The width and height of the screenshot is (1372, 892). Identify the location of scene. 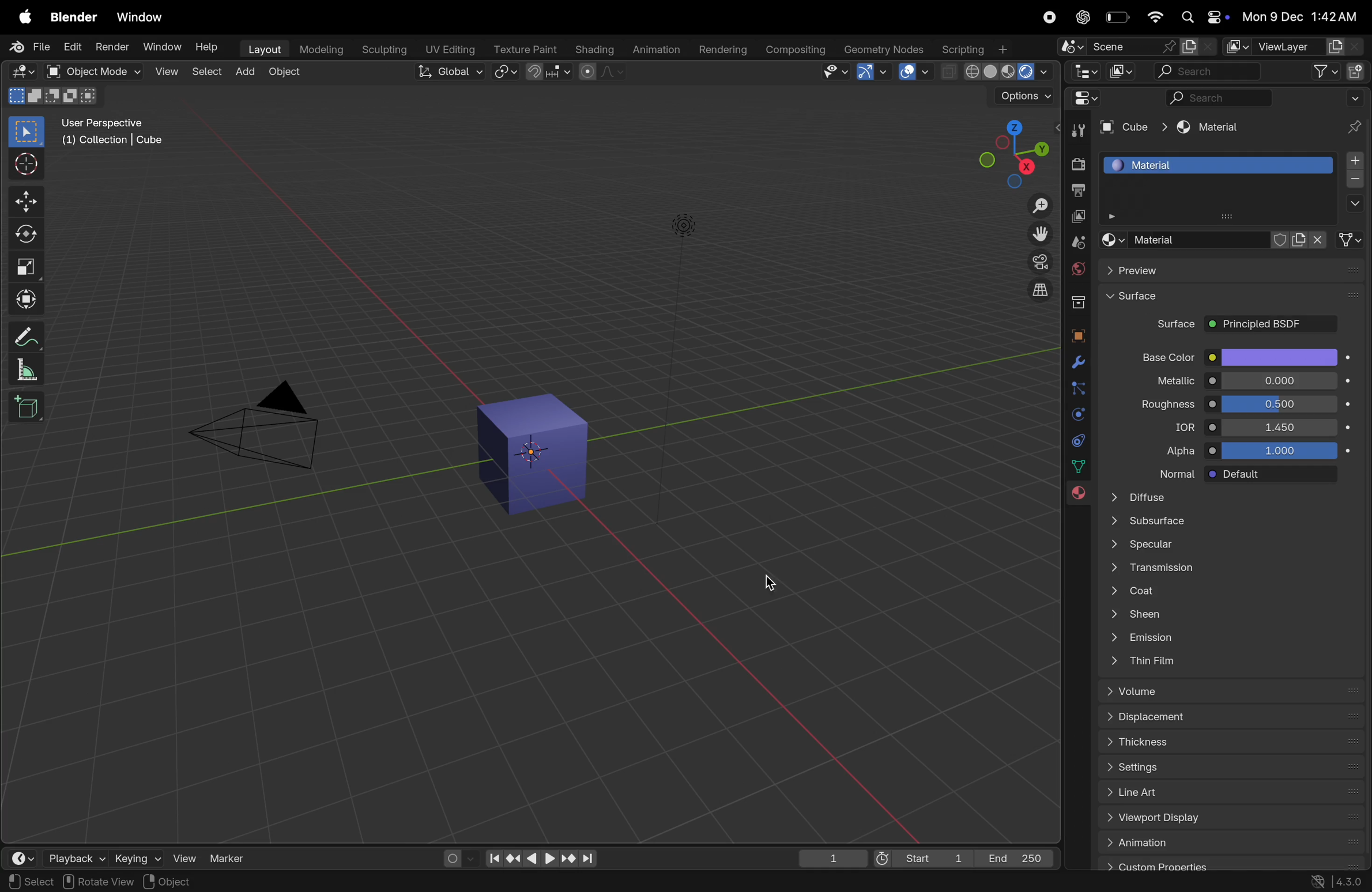
(1132, 46).